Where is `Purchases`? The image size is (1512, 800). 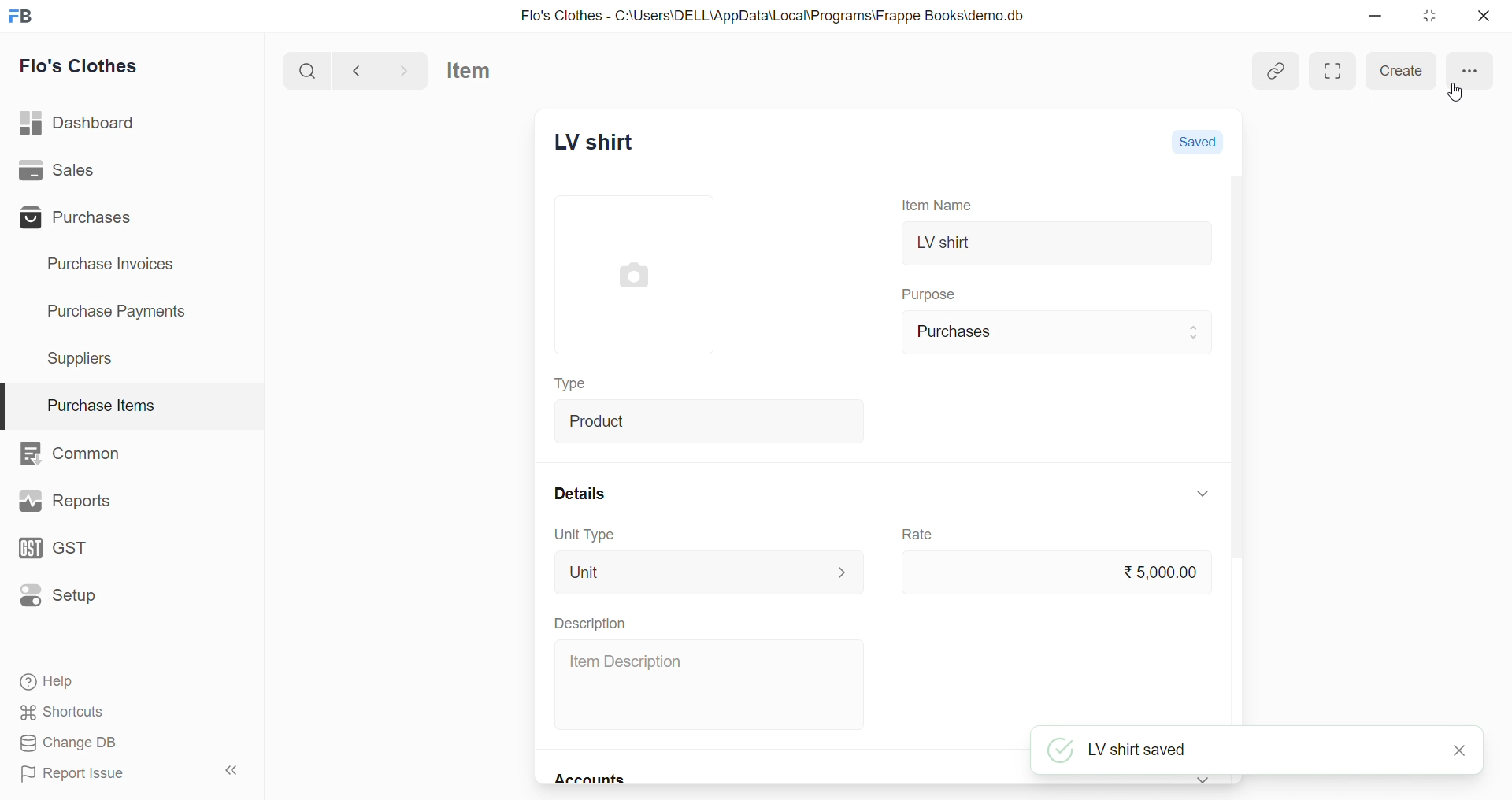 Purchases is located at coordinates (80, 217).